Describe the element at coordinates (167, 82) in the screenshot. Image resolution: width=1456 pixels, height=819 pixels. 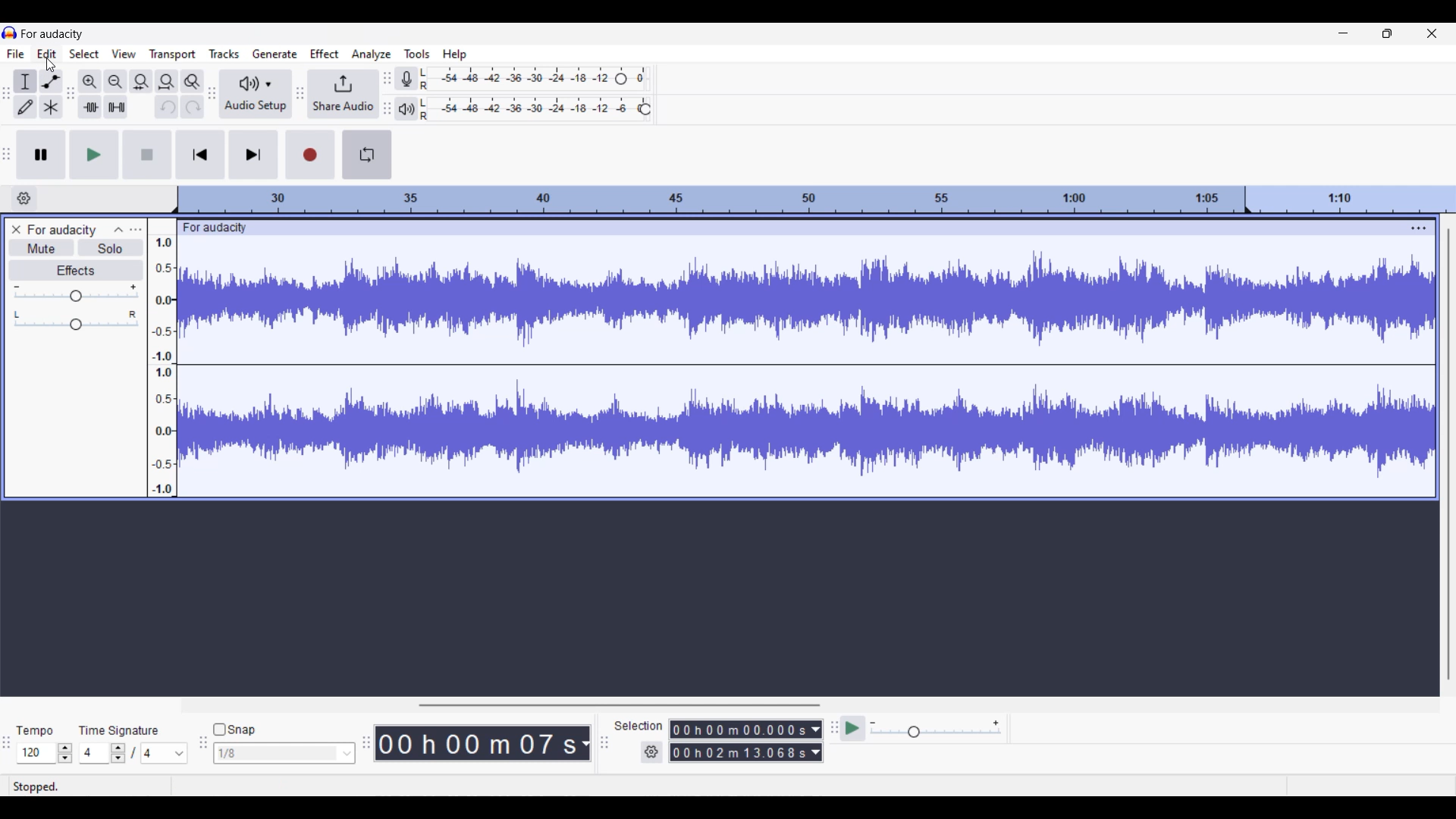
I see `Fit project to width` at that location.